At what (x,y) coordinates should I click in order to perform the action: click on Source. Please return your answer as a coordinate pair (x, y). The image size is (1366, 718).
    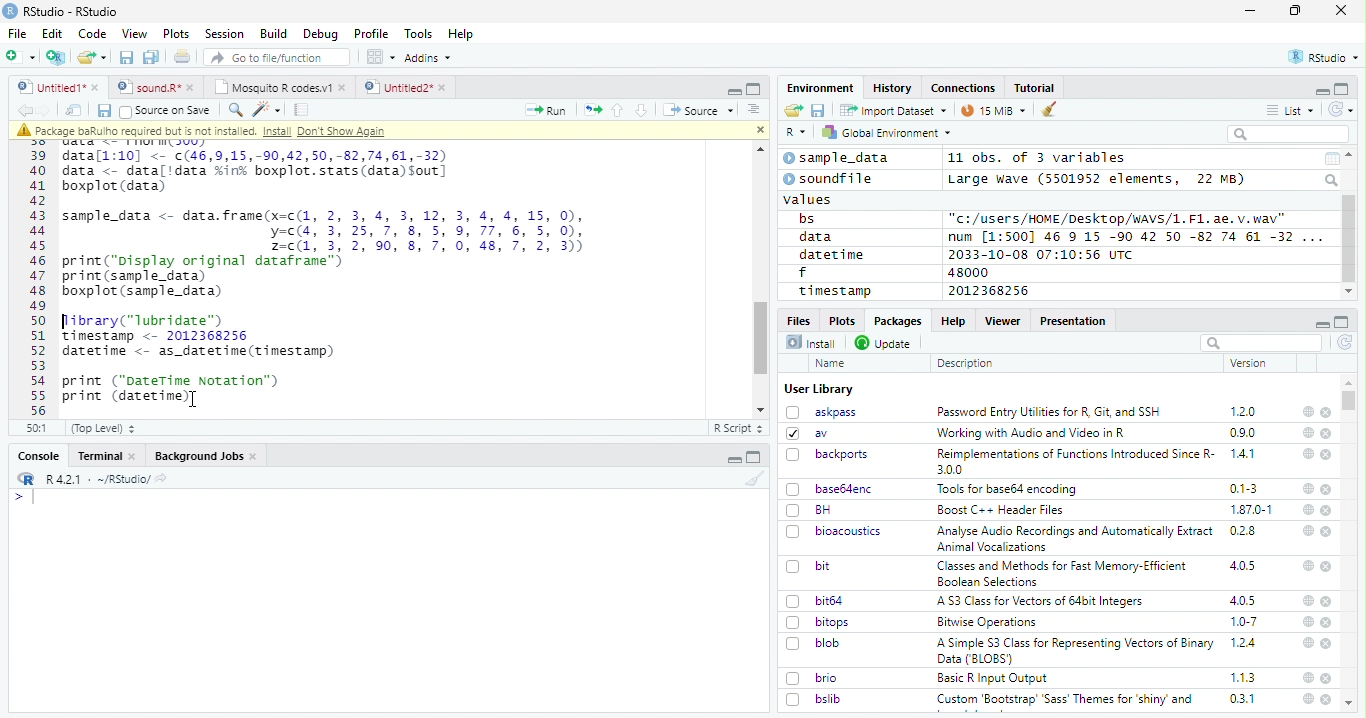
    Looking at the image, I should click on (698, 112).